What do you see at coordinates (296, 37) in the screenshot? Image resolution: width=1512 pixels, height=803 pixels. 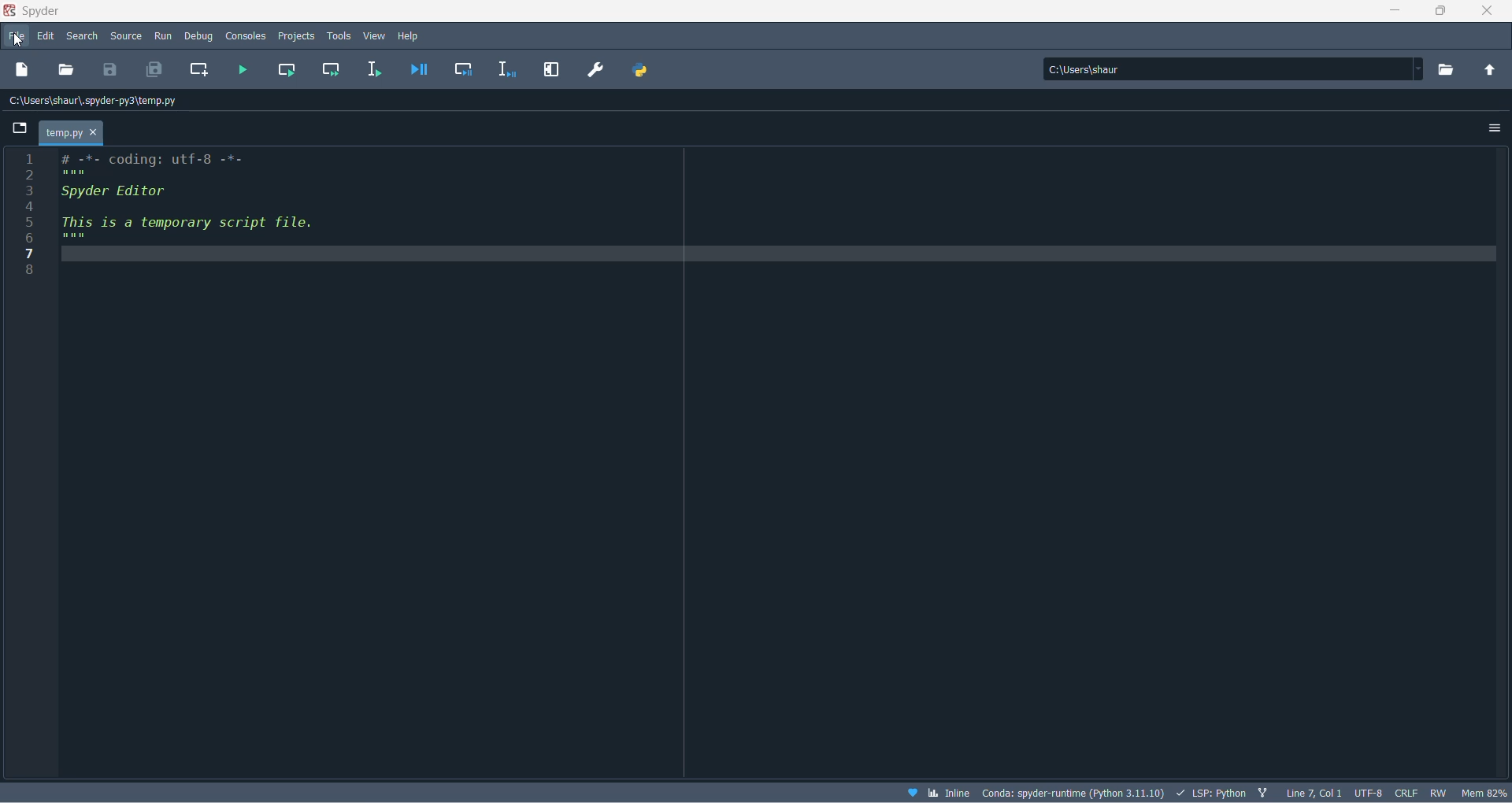 I see `projects` at bounding box center [296, 37].